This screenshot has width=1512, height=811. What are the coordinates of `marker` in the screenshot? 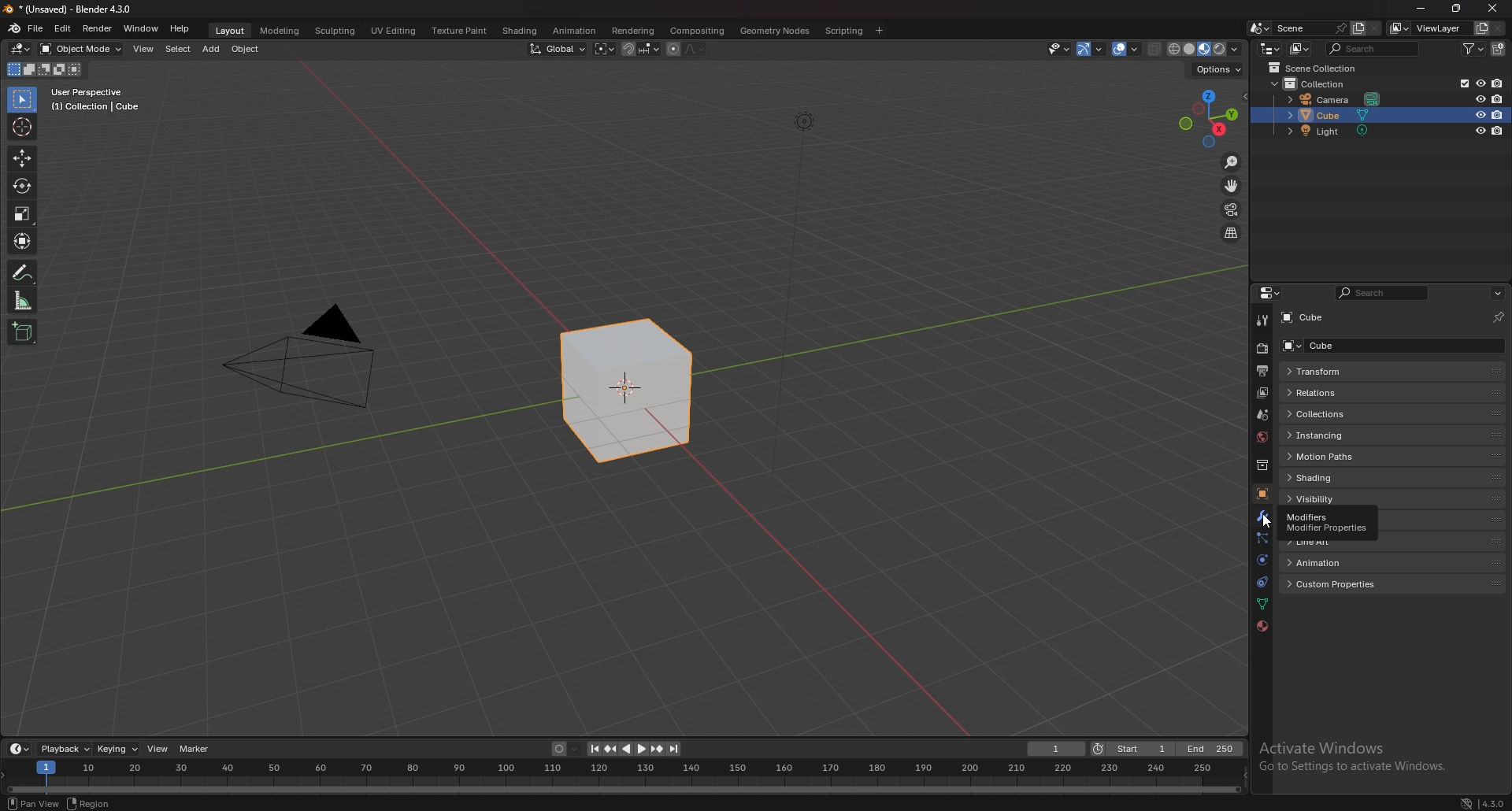 It's located at (196, 750).